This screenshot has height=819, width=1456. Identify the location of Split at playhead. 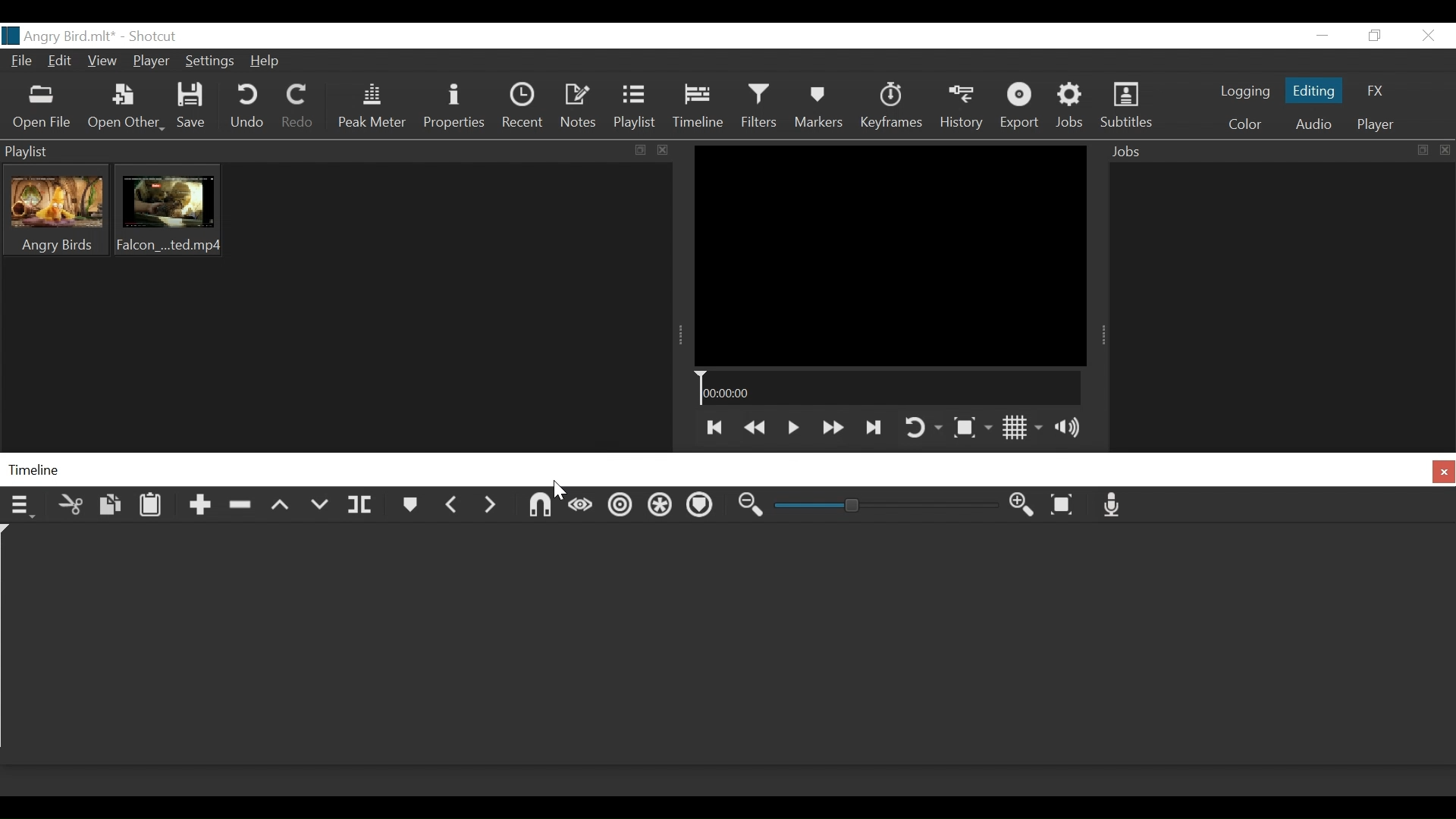
(362, 508).